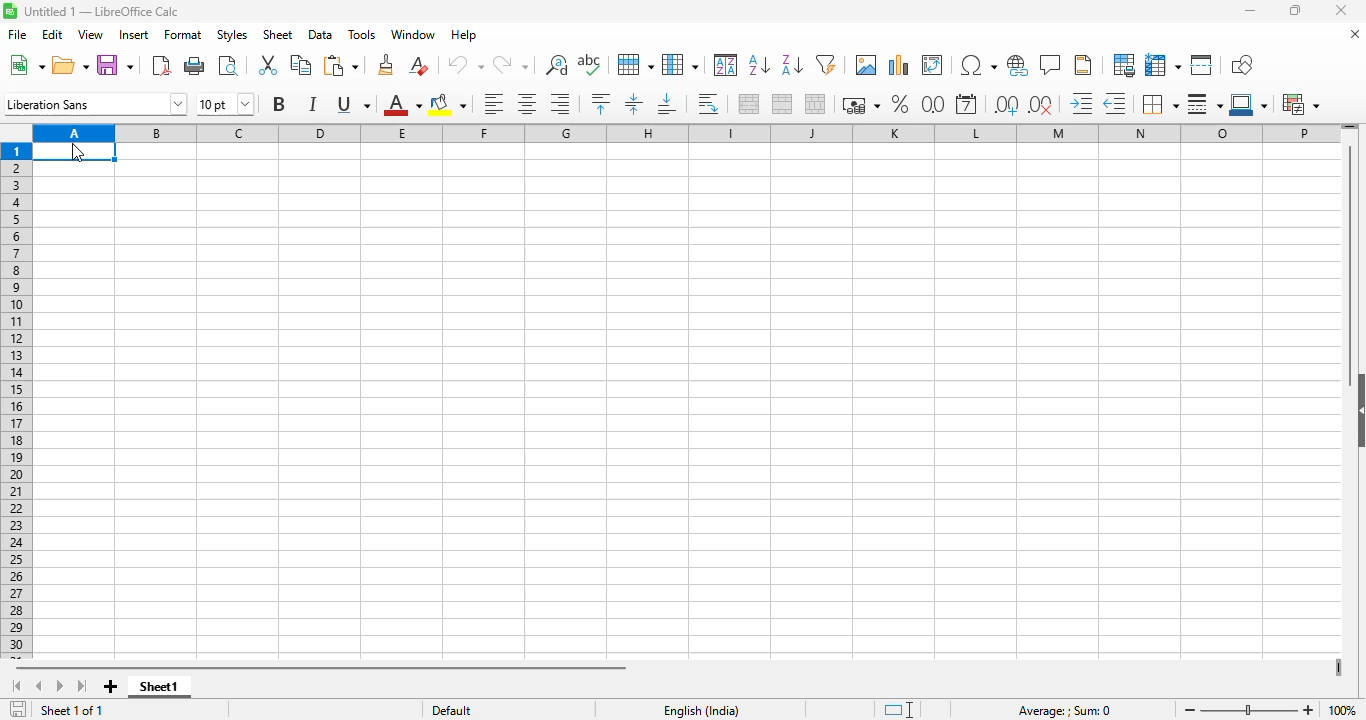 The height and width of the screenshot is (720, 1366). I want to click on scroll to first page, so click(15, 686).